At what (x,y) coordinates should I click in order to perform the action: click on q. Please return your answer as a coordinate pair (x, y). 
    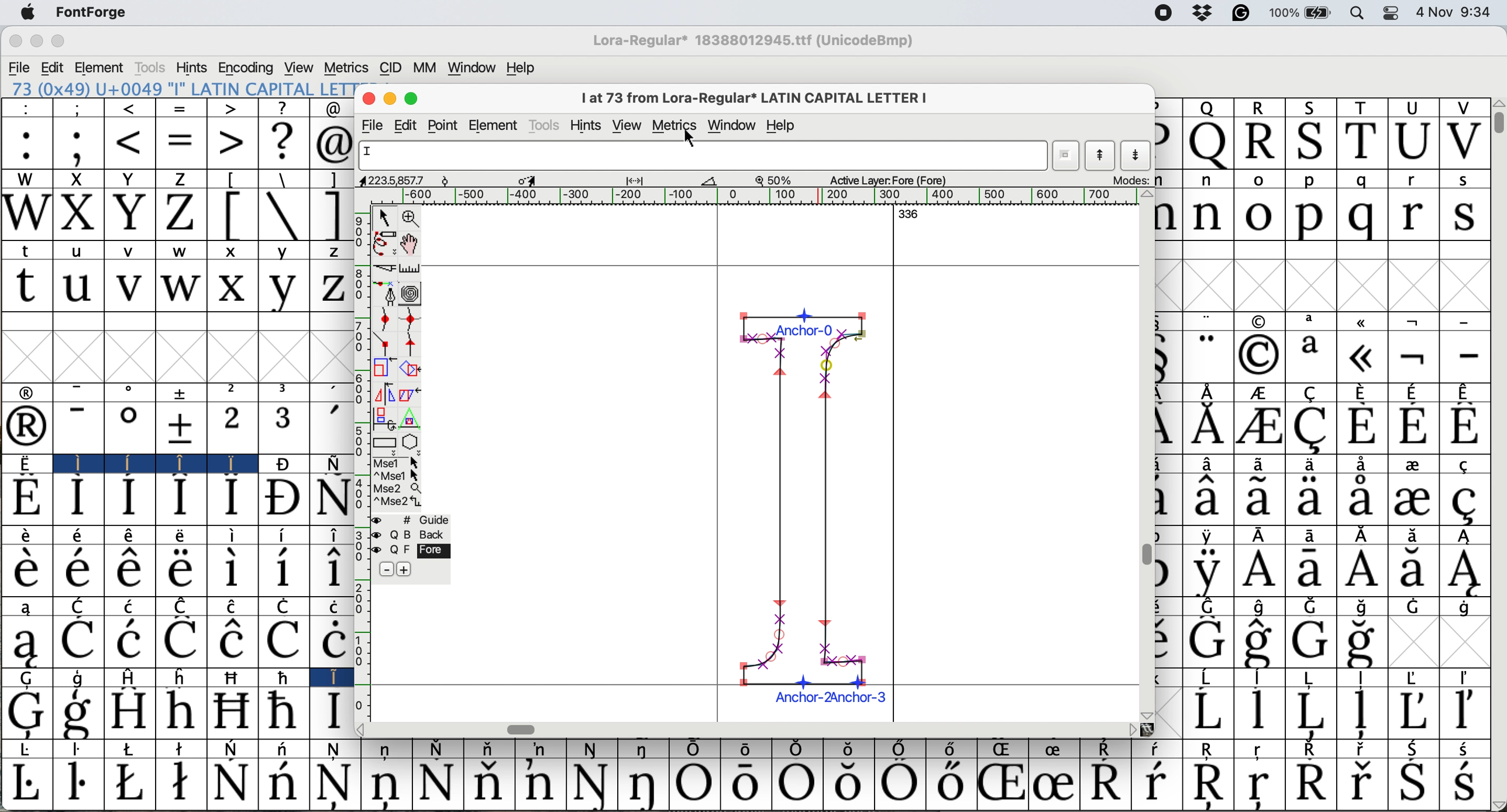
    Looking at the image, I should click on (1360, 180).